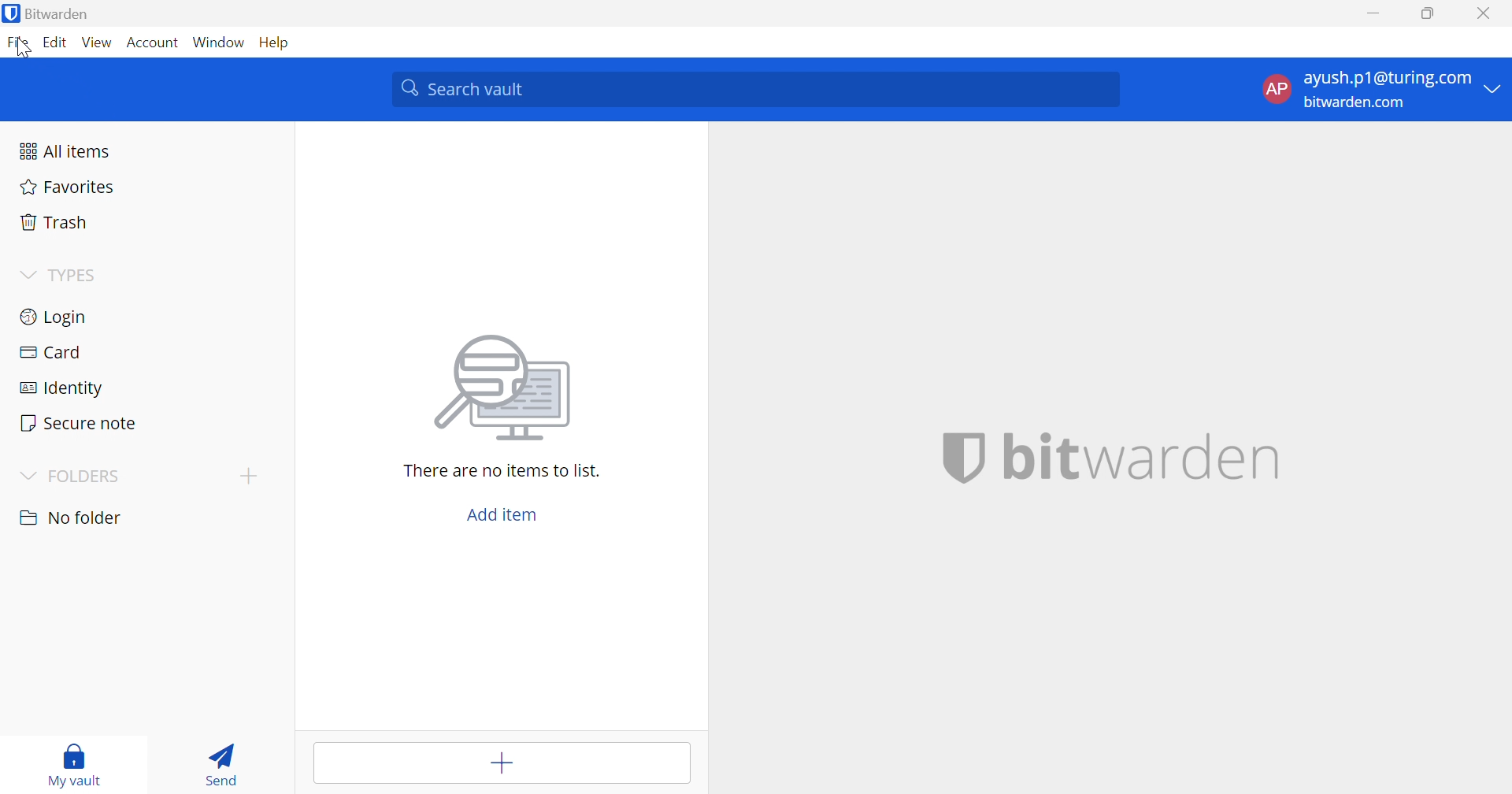 The image size is (1512, 794). I want to click on Identity, so click(62, 387).